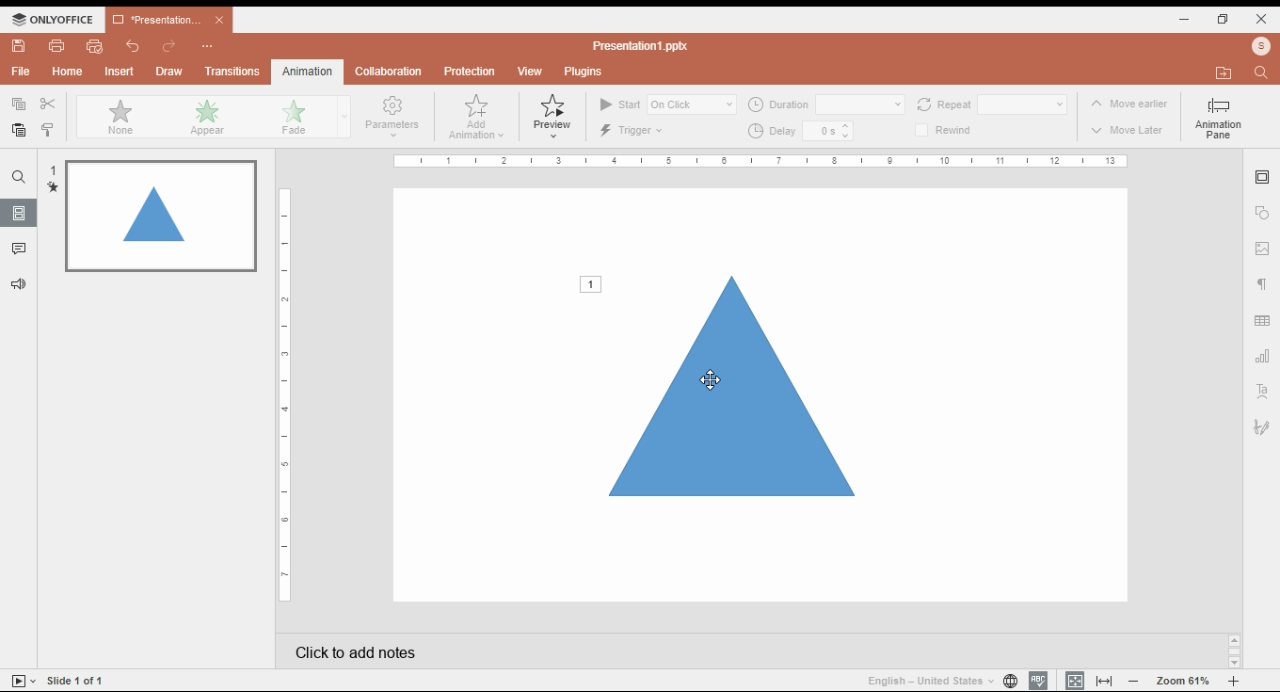 This screenshot has width=1280, height=692. Describe the element at coordinates (1218, 120) in the screenshot. I see `animation pane` at that location.